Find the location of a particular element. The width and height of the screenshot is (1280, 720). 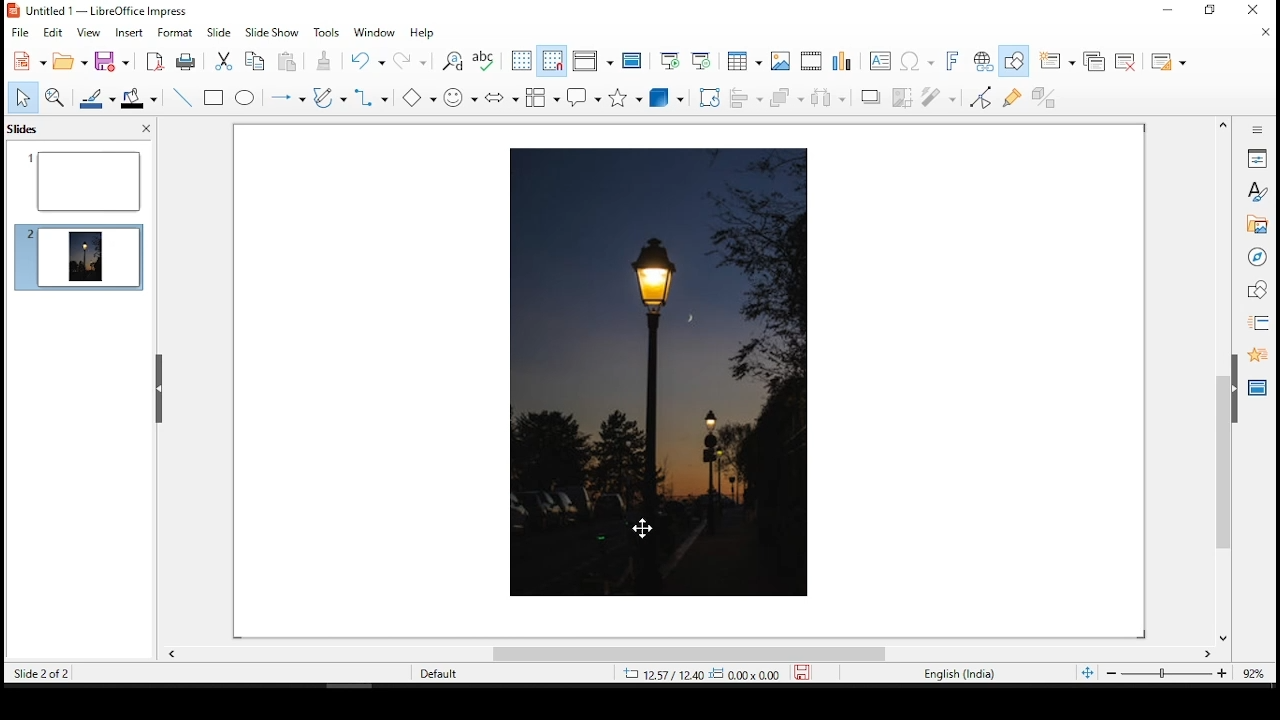

slide transition is located at coordinates (1261, 324).